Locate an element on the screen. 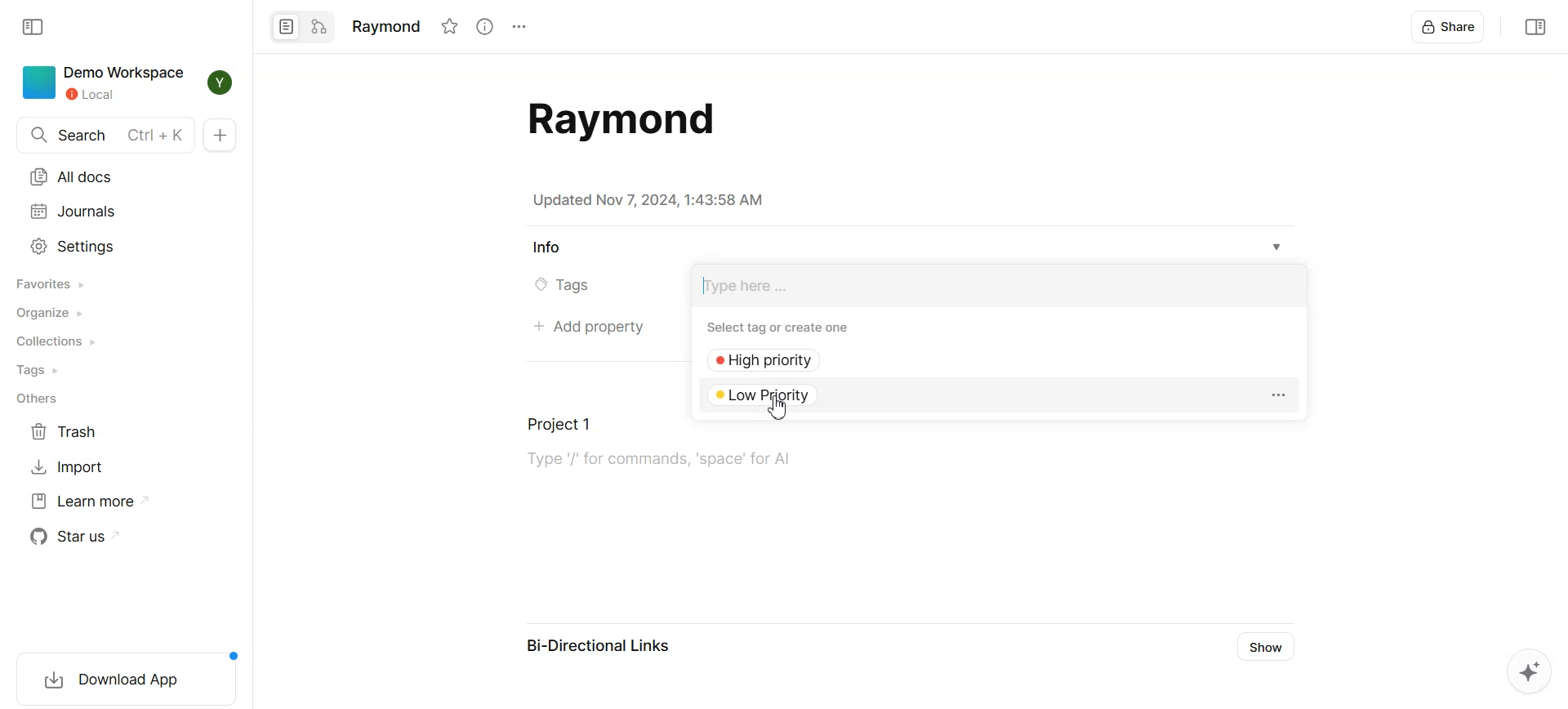  Suggestion is located at coordinates (1522, 674).